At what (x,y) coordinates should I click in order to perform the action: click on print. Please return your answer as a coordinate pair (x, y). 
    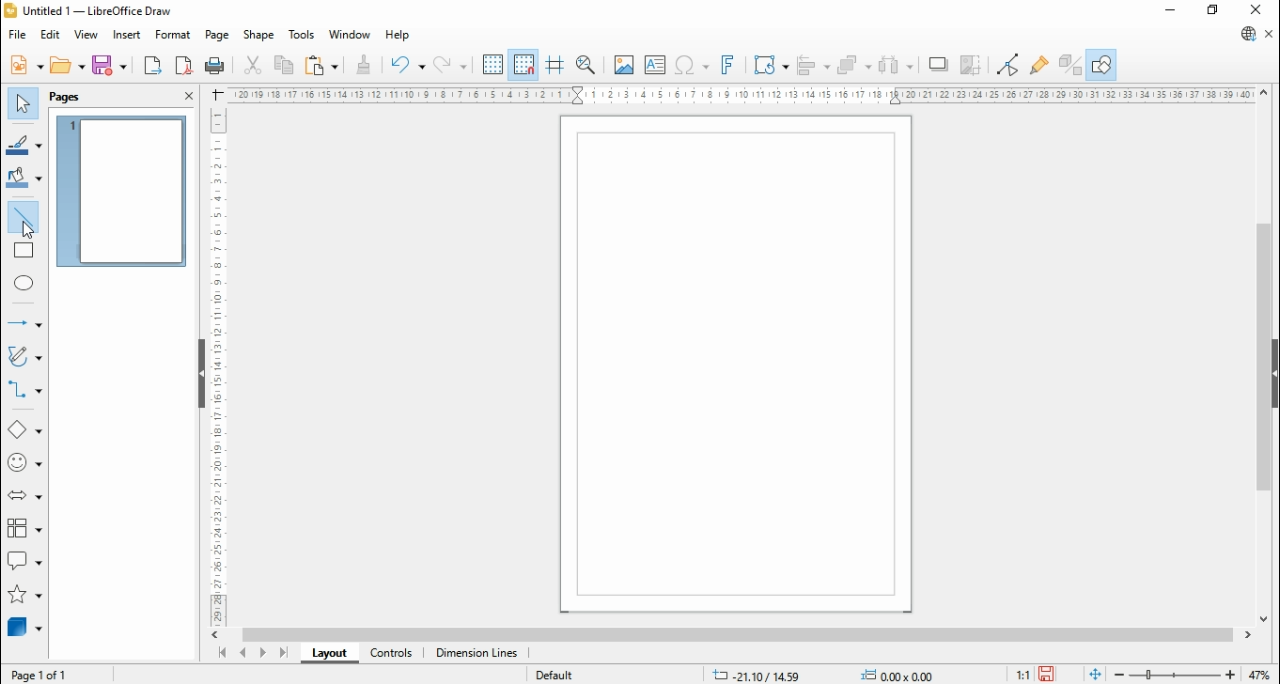
    Looking at the image, I should click on (218, 67).